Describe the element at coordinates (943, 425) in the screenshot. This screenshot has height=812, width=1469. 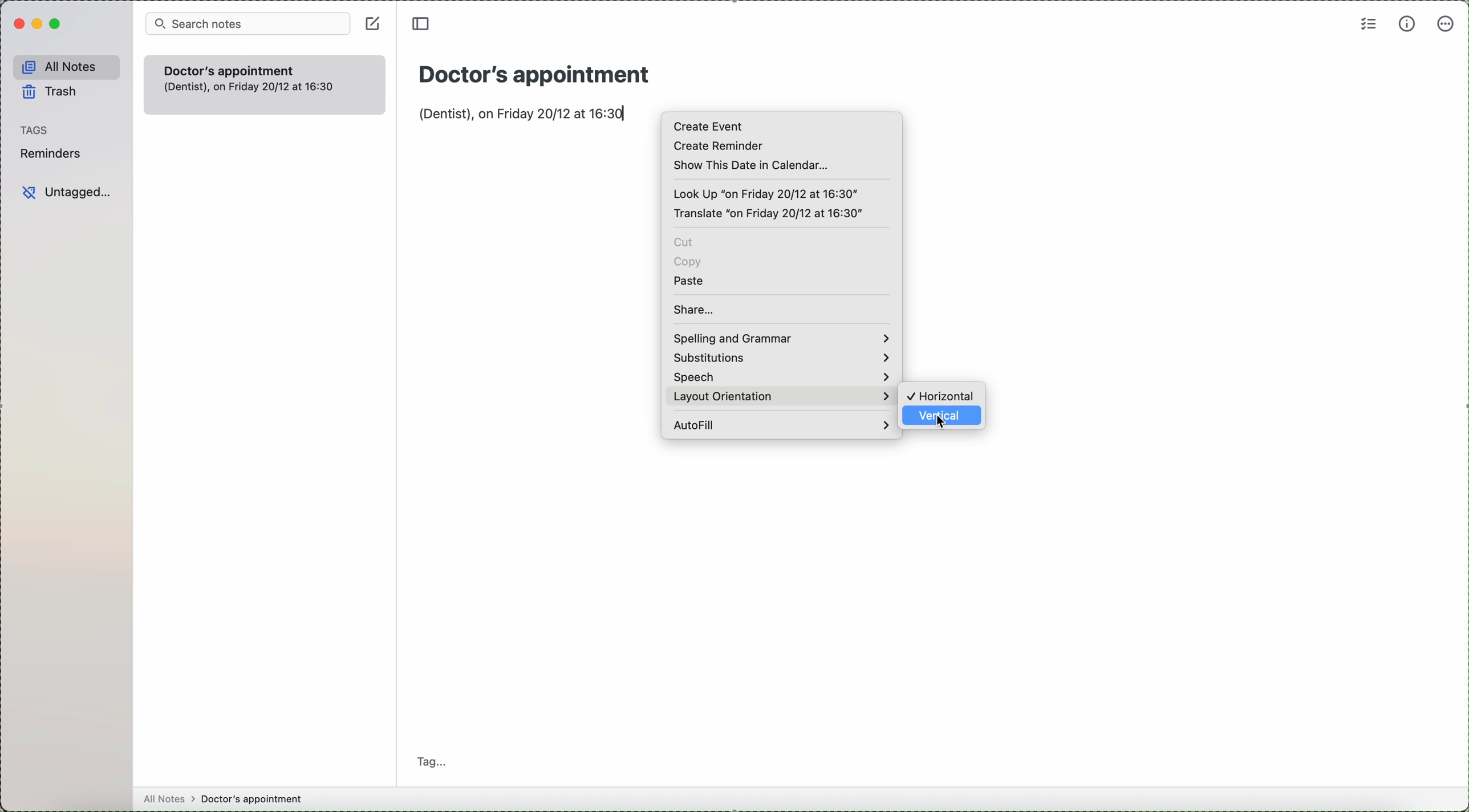
I see `cursor` at that location.